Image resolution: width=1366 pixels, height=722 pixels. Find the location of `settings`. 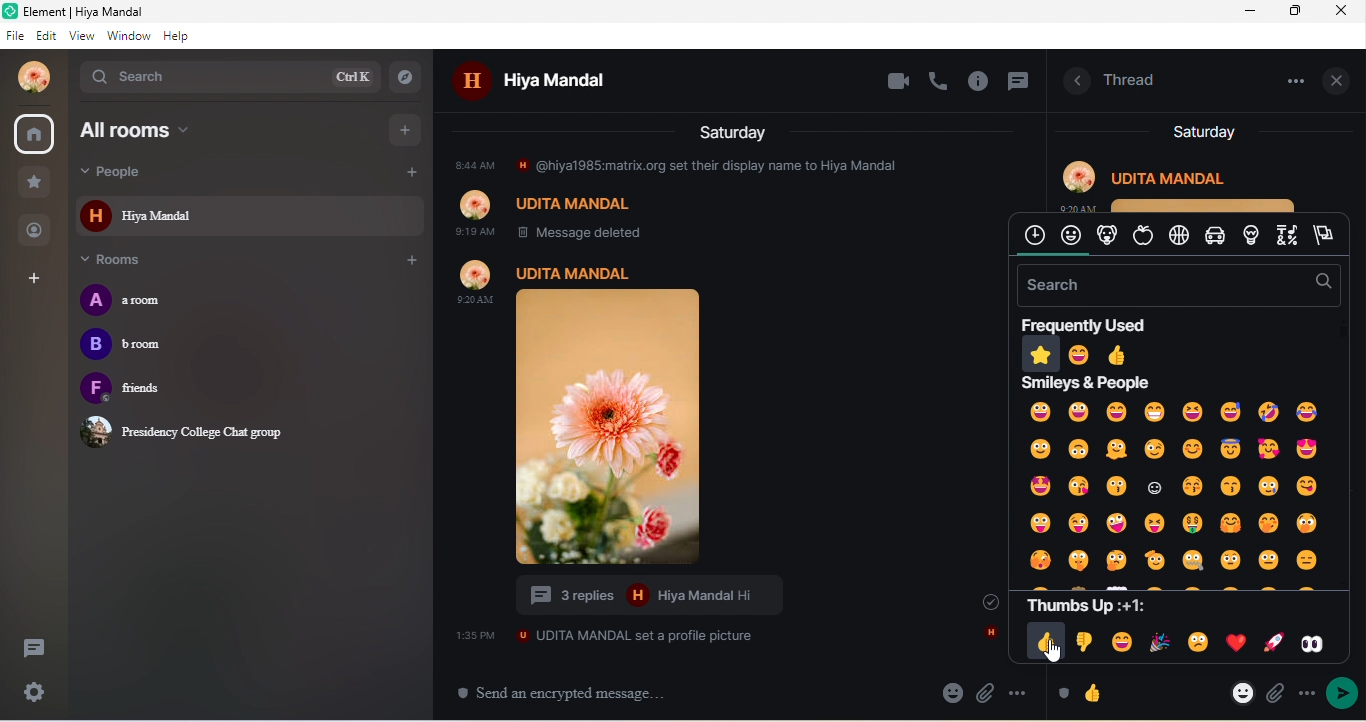

settings is located at coordinates (37, 693).